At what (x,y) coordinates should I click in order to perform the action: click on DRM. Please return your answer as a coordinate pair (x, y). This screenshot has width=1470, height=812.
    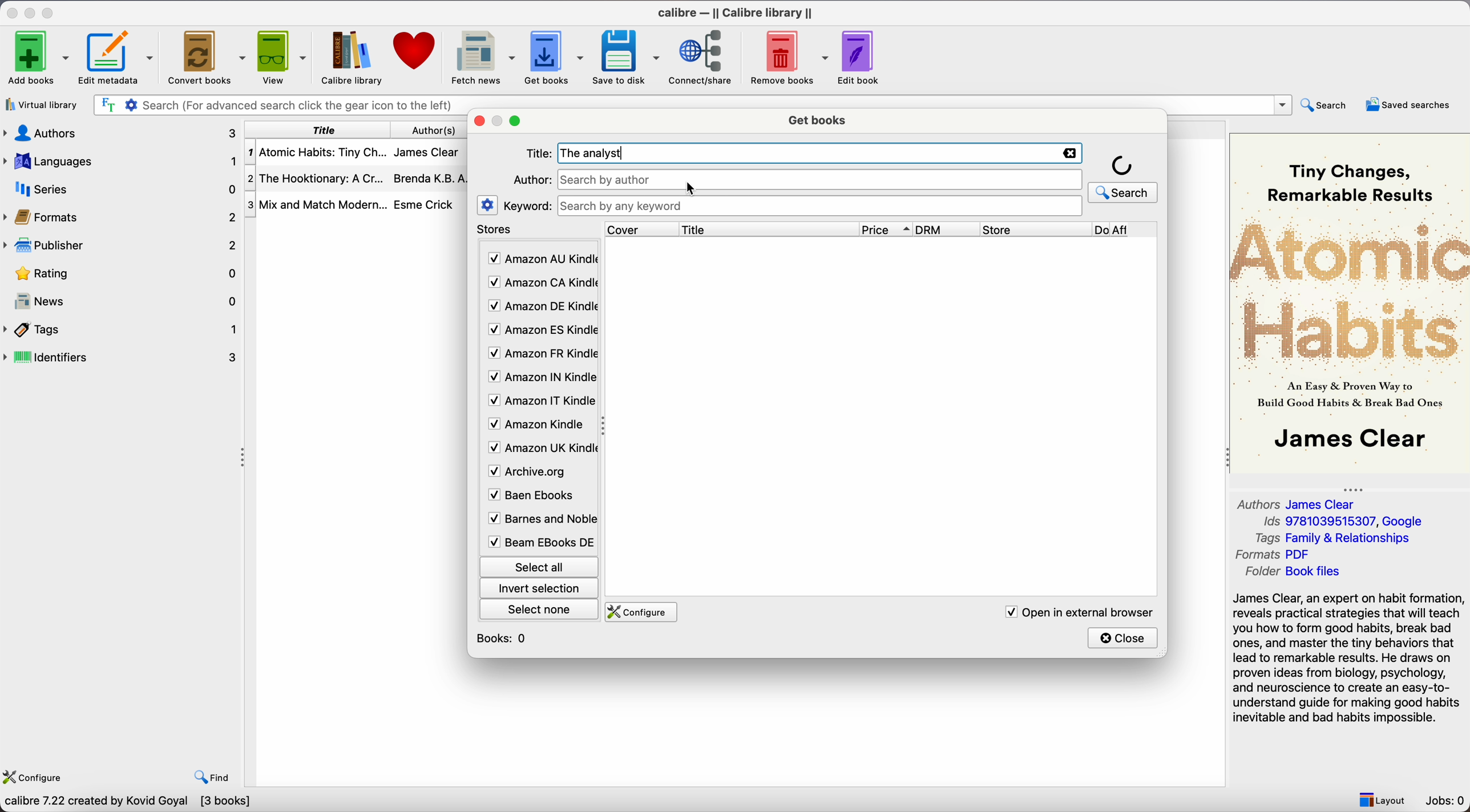
    Looking at the image, I should click on (947, 229).